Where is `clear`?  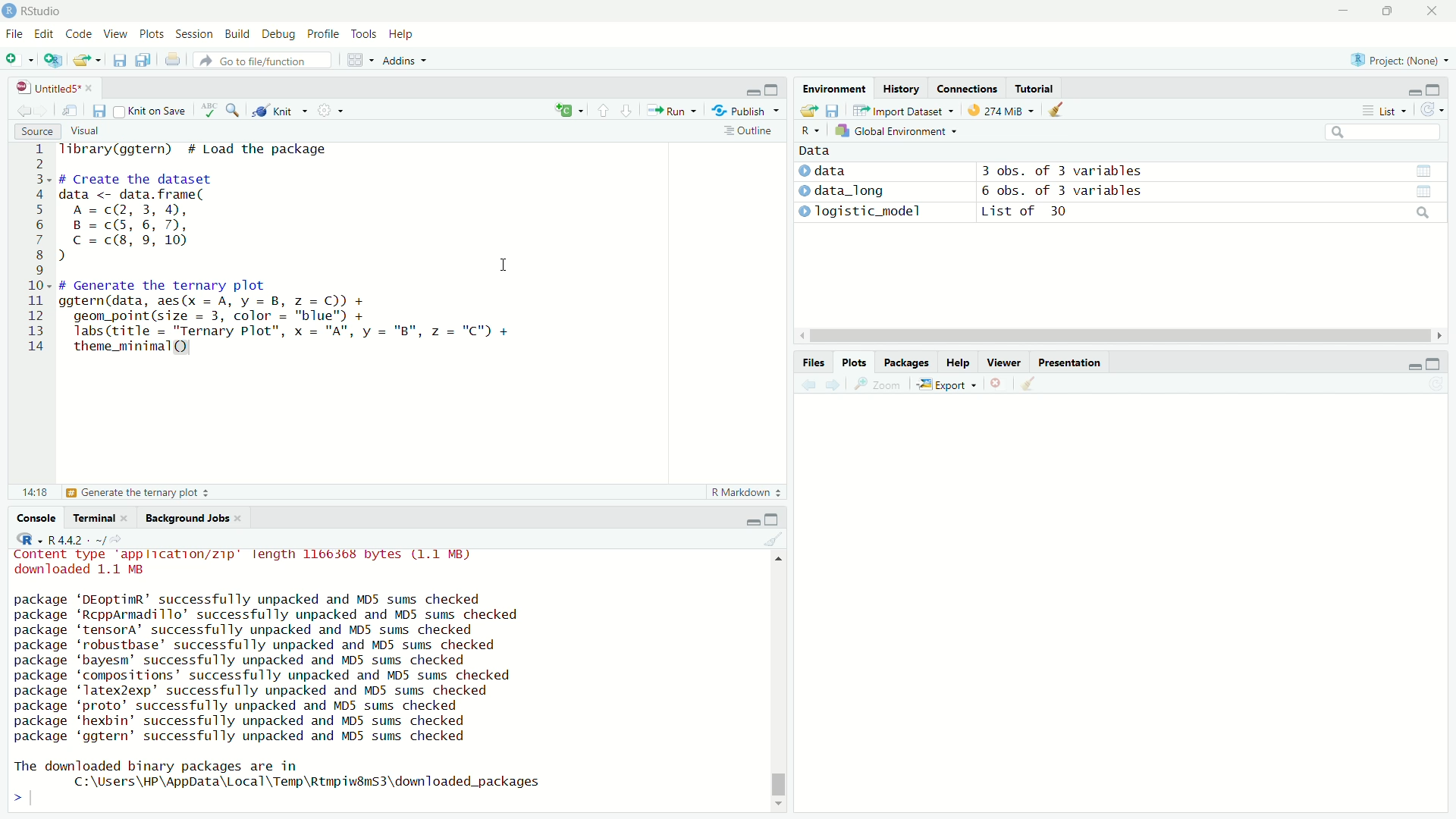
clear is located at coordinates (1028, 383).